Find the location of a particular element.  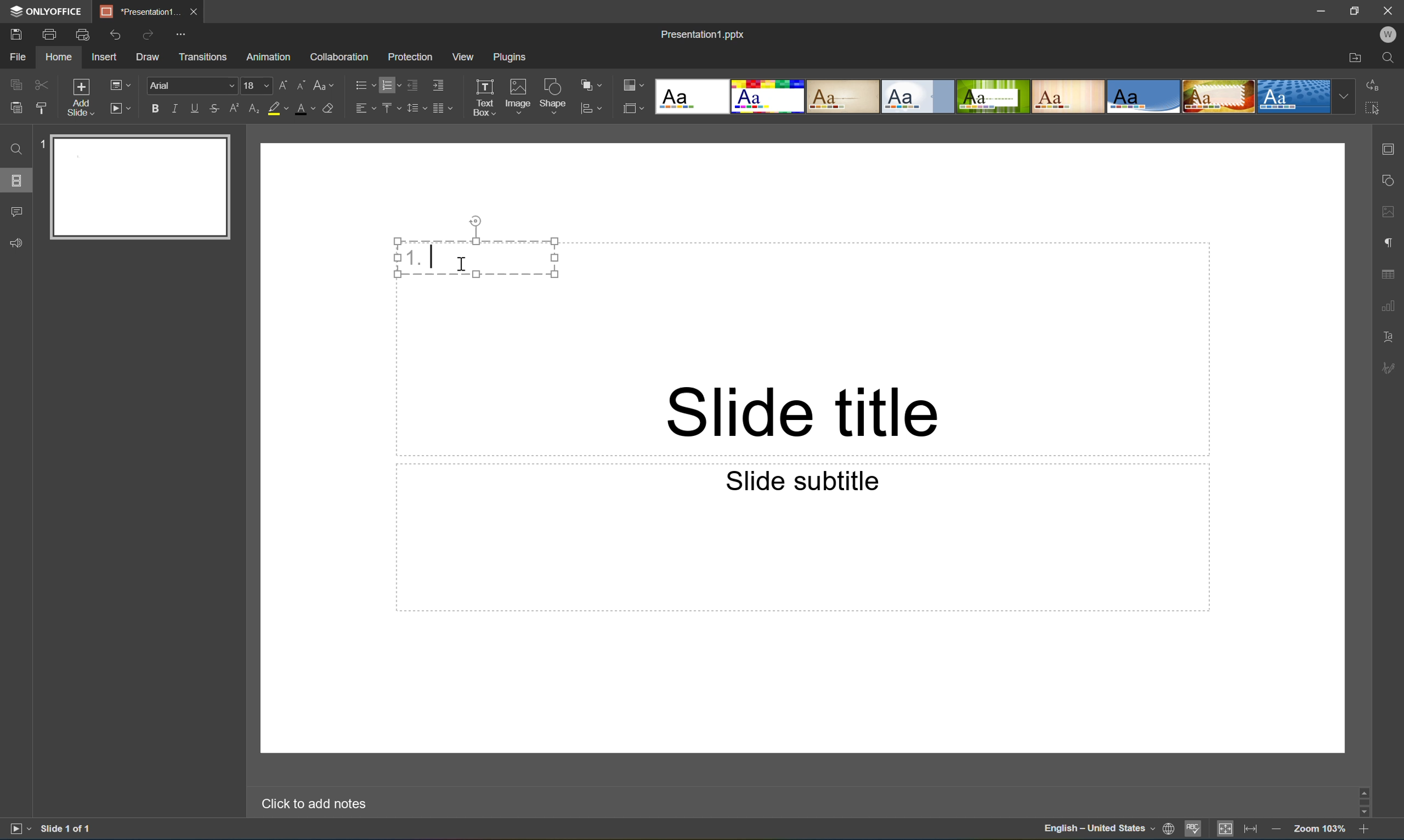

Image settings is located at coordinates (1390, 213).